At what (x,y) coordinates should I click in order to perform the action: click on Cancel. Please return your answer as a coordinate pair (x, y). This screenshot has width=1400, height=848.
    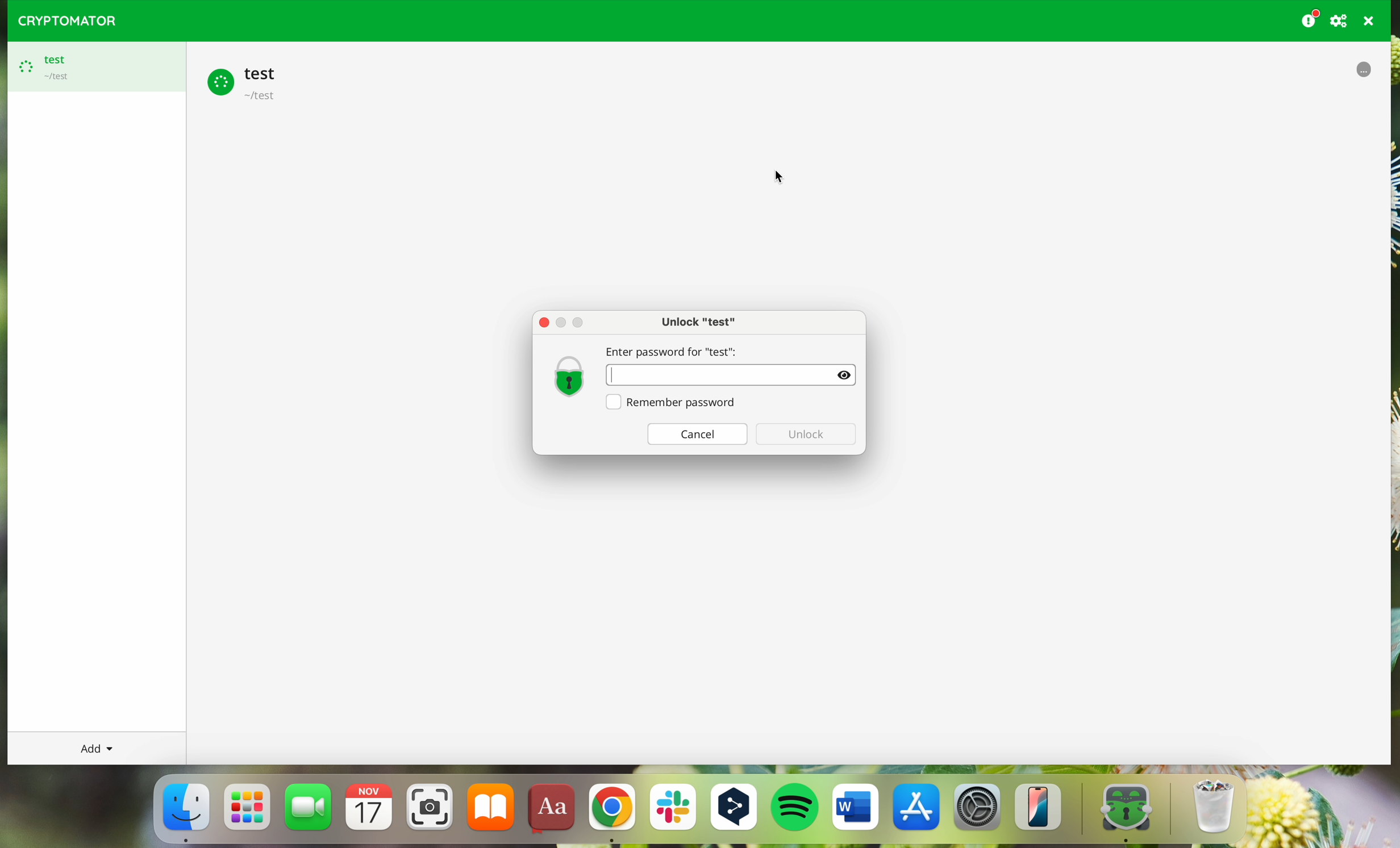
    Looking at the image, I should click on (697, 434).